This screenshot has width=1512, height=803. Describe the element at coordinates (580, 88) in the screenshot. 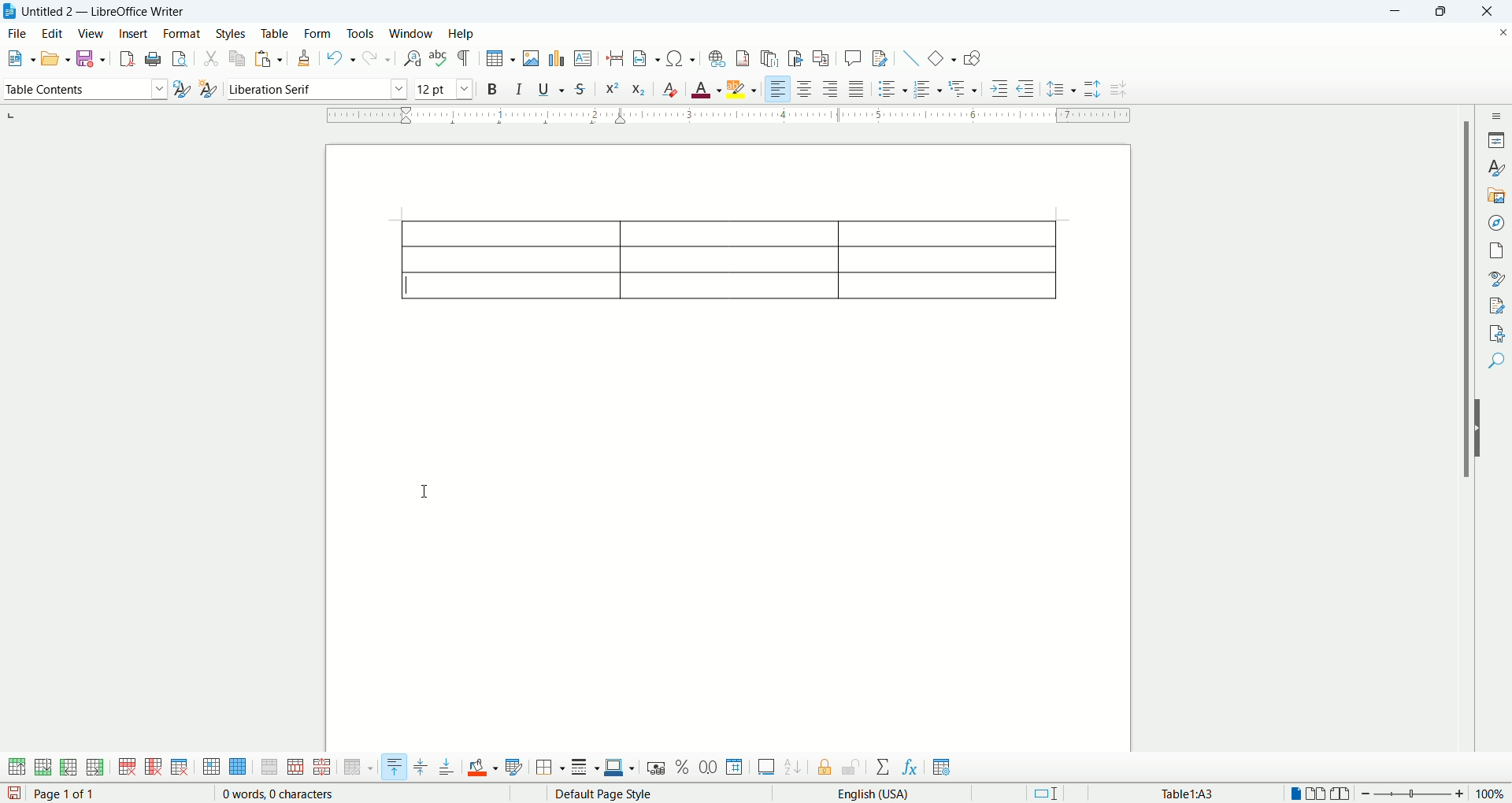

I see `strikethrough` at that location.